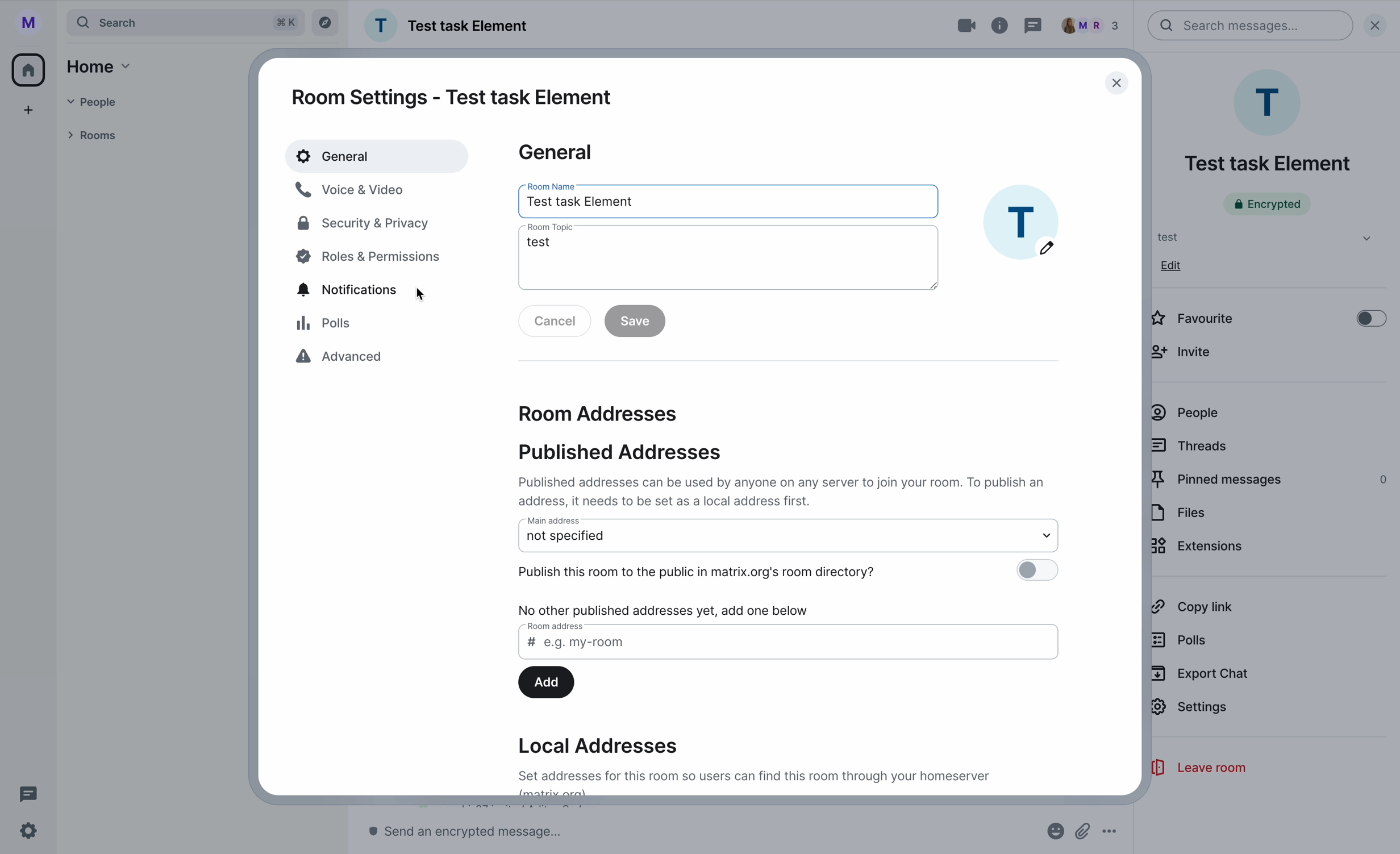  I want to click on profile image, so click(1031, 223).